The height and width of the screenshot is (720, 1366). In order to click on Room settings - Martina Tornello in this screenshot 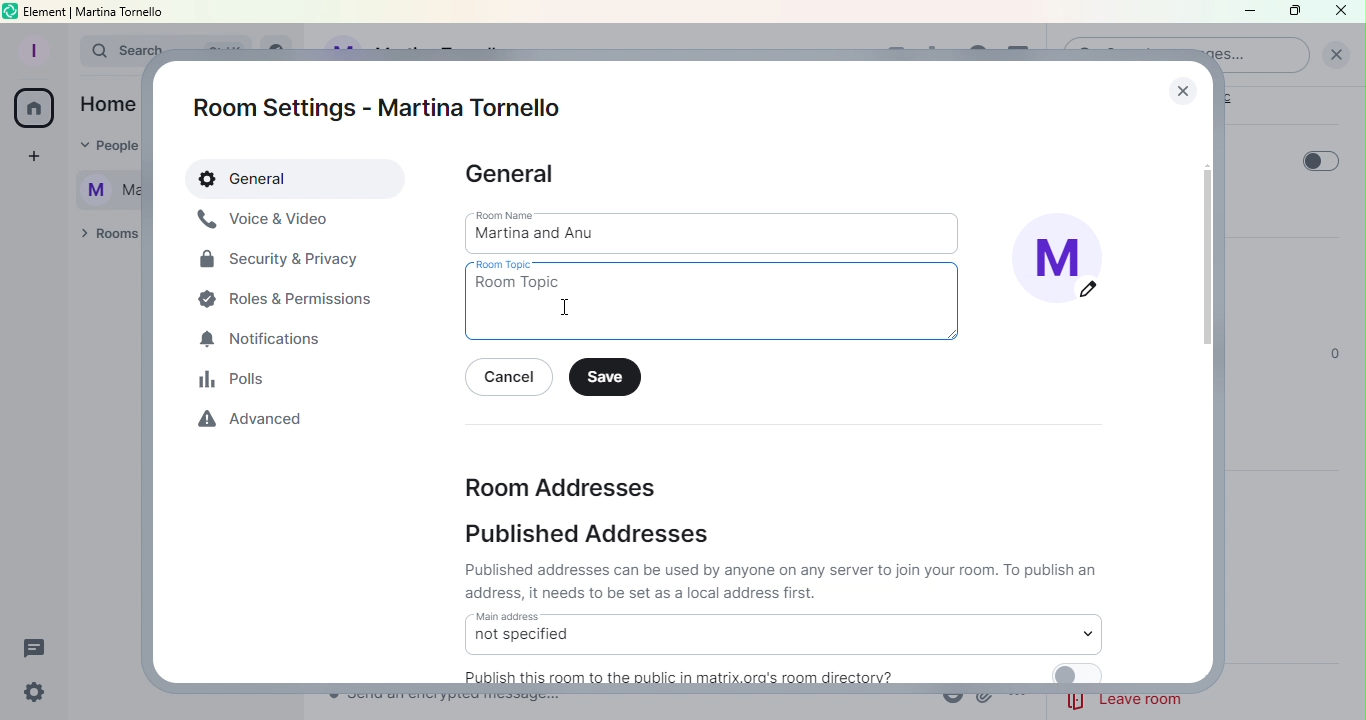, I will do `click(385, 108)`.